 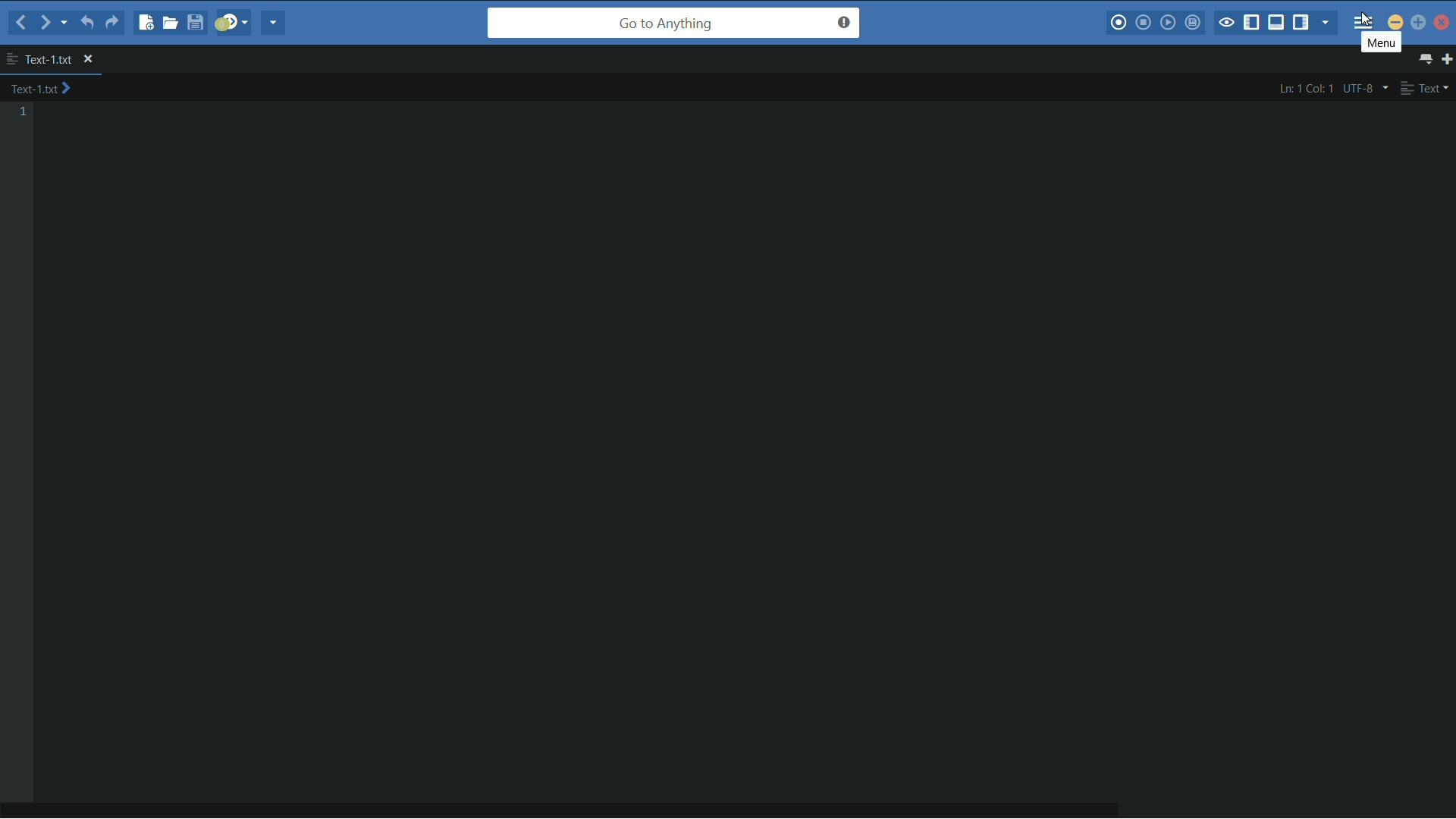 What do you see at coordinates (146, 24) in the screenshot?
I see `new file` at bounding box center [146, 24].